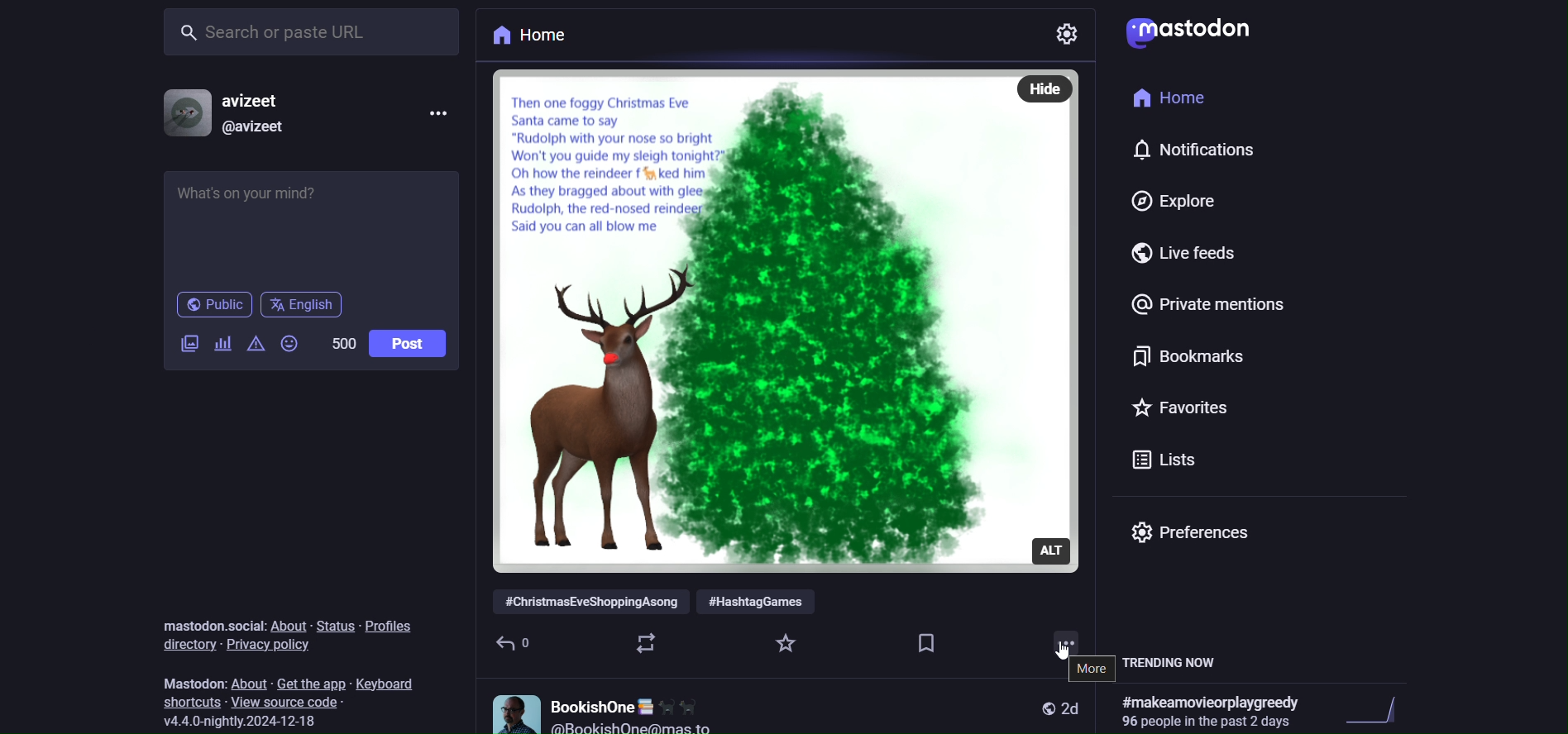 The width and height of the screenshot is (1568, 734). I want to click on status, so click(336, 626).